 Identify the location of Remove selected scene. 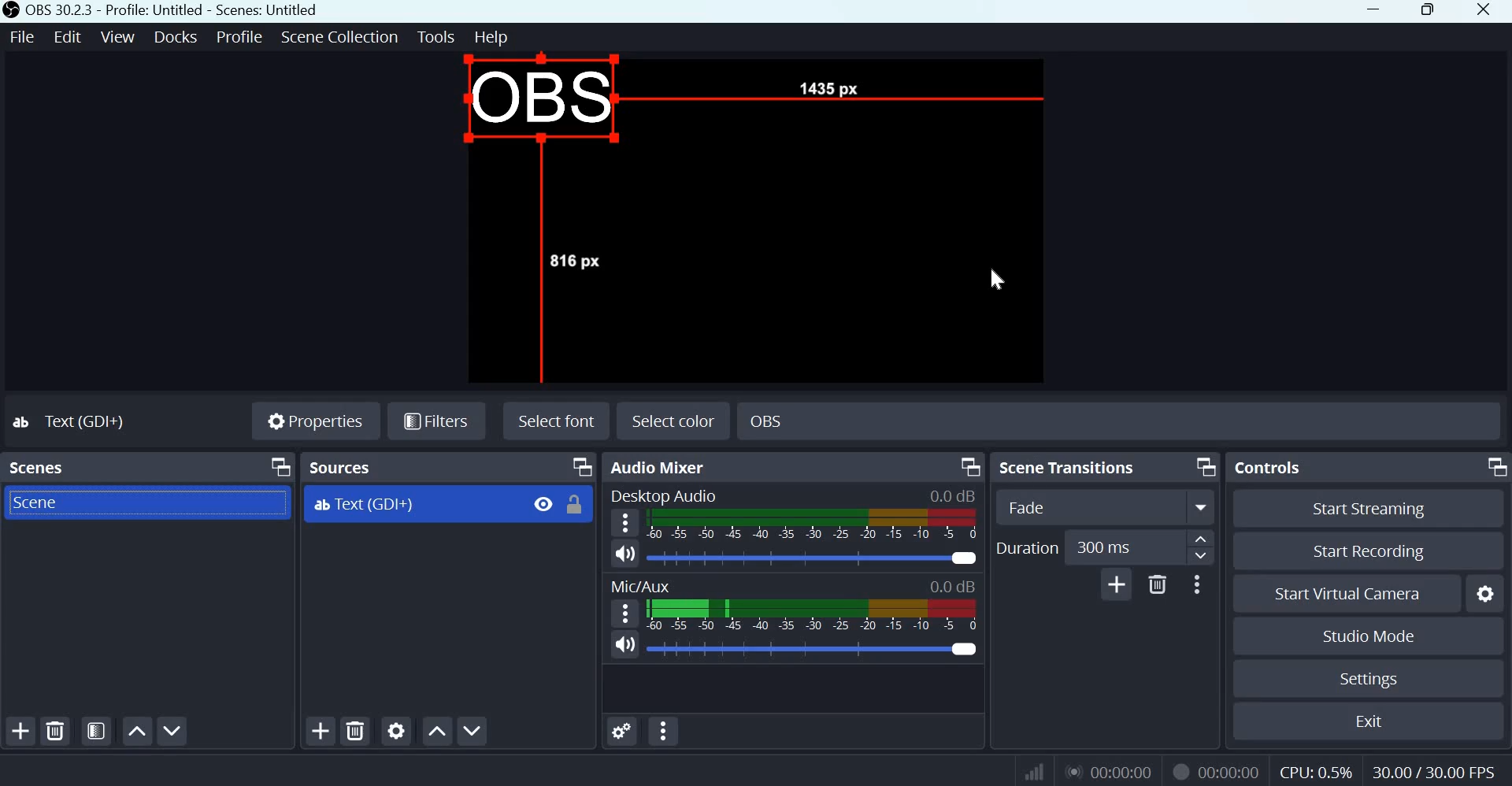
(57, 732).